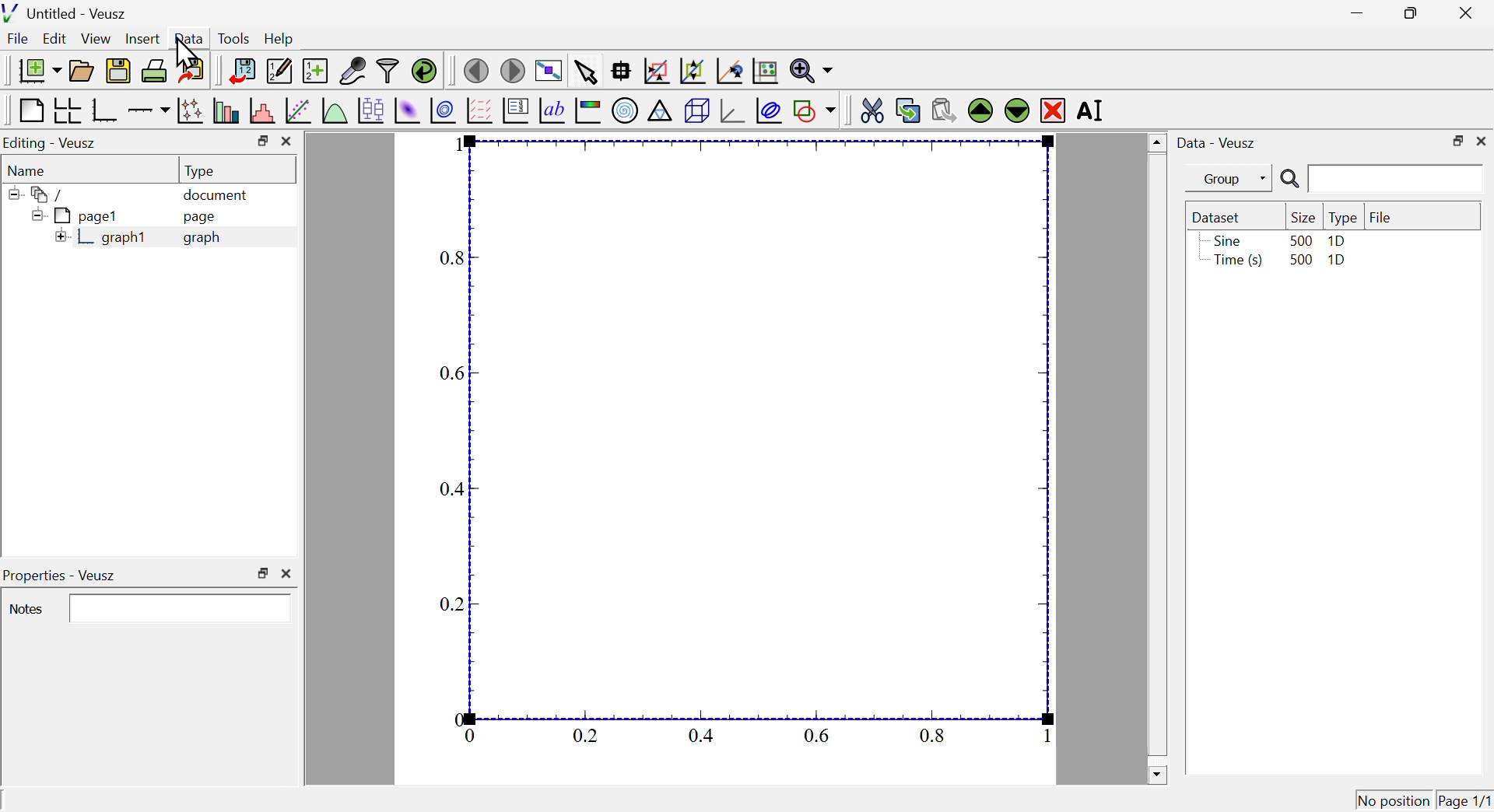 This screenshot has width=1494, height=812. What do you see at coordinates (77, 215) in the screenshot?
I see `page1` at bounding box center [77, 215].